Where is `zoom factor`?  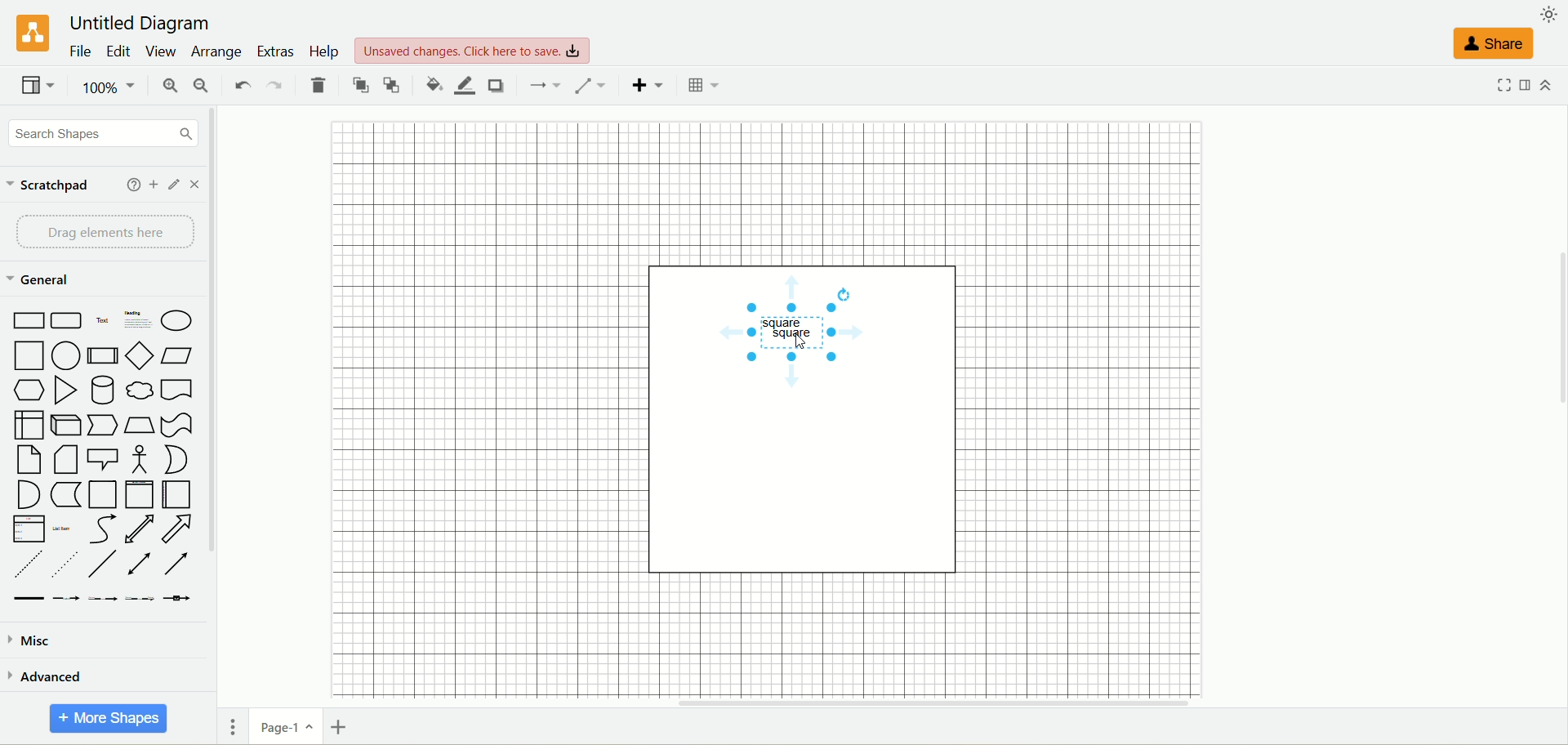 zoom factor is located at coordinates (112, 87).